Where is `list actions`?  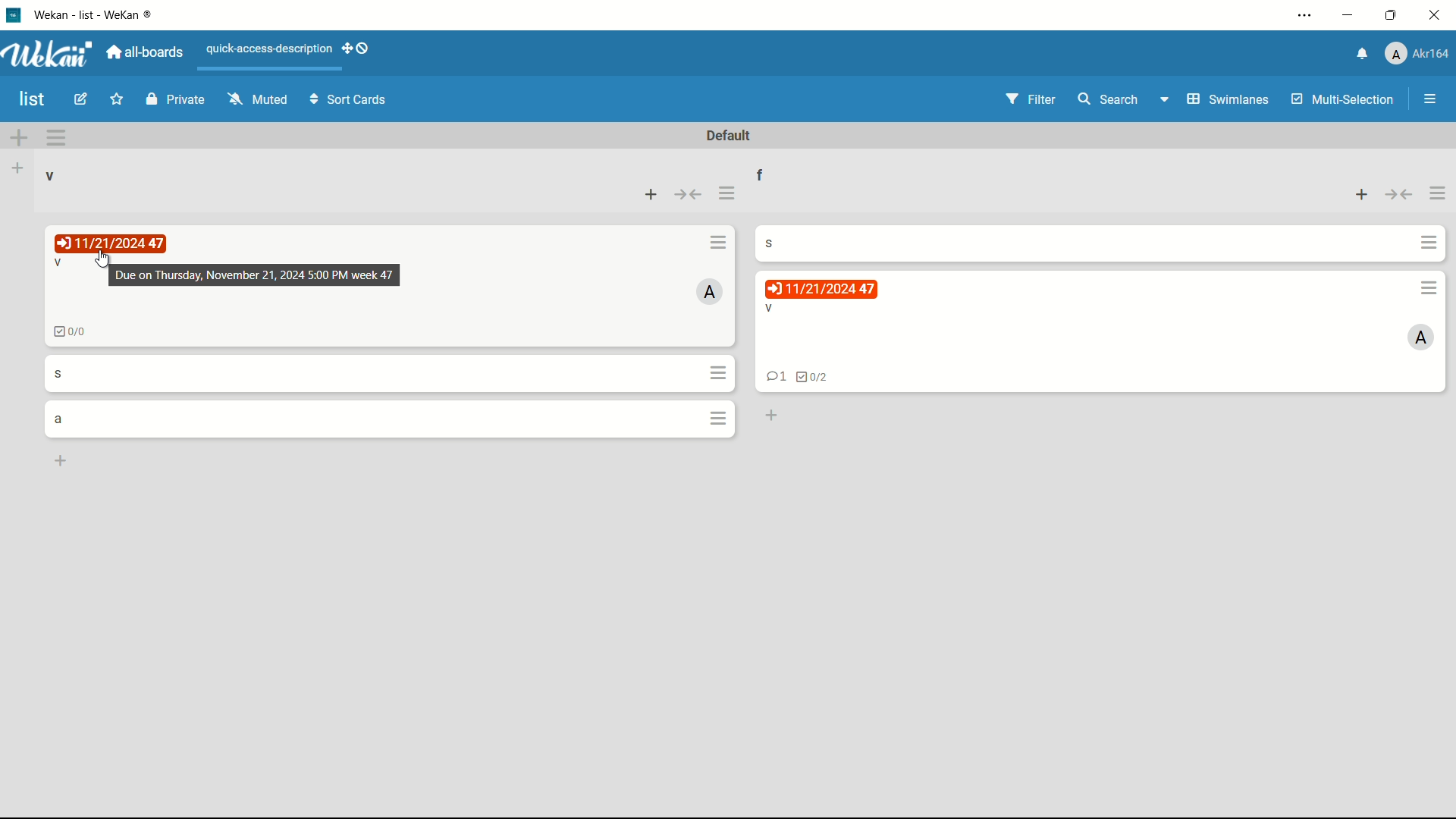
list actions is located at coordinates (1439, 196).